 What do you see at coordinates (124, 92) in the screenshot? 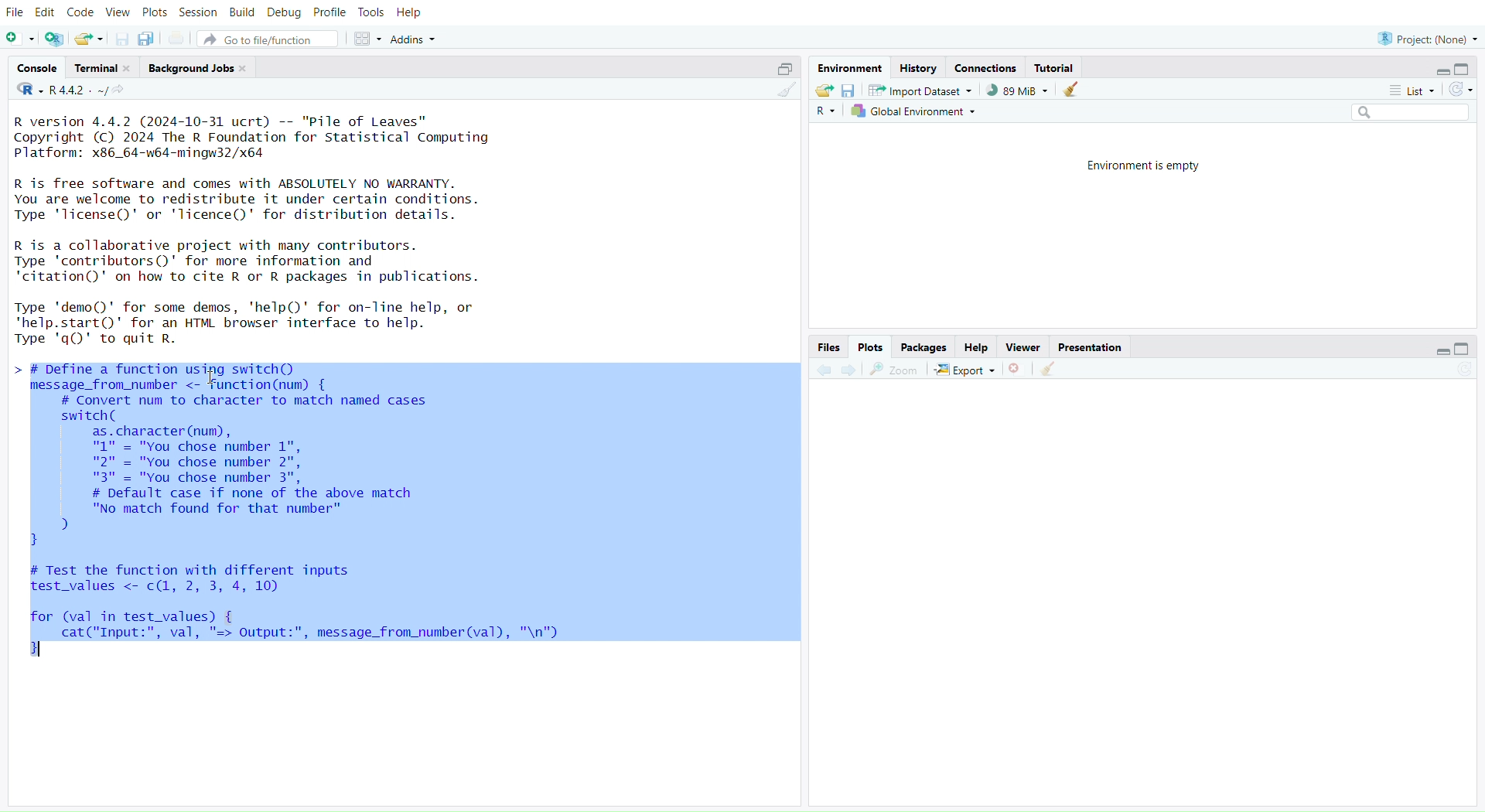
I see `View the current working directory` at bounding box center [124, 92].